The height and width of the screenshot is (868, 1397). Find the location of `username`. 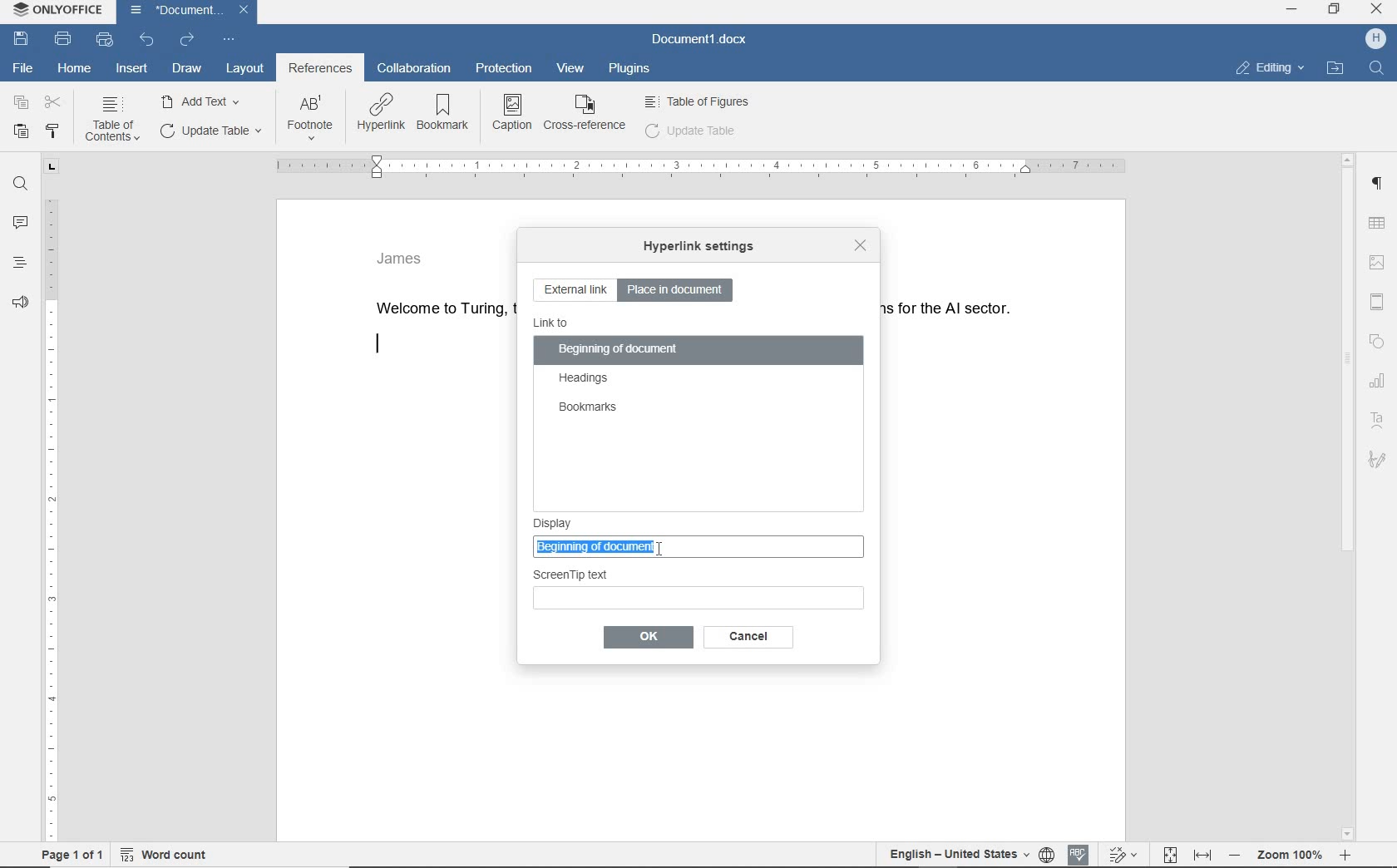

username is located at coordinates (1376, 40).